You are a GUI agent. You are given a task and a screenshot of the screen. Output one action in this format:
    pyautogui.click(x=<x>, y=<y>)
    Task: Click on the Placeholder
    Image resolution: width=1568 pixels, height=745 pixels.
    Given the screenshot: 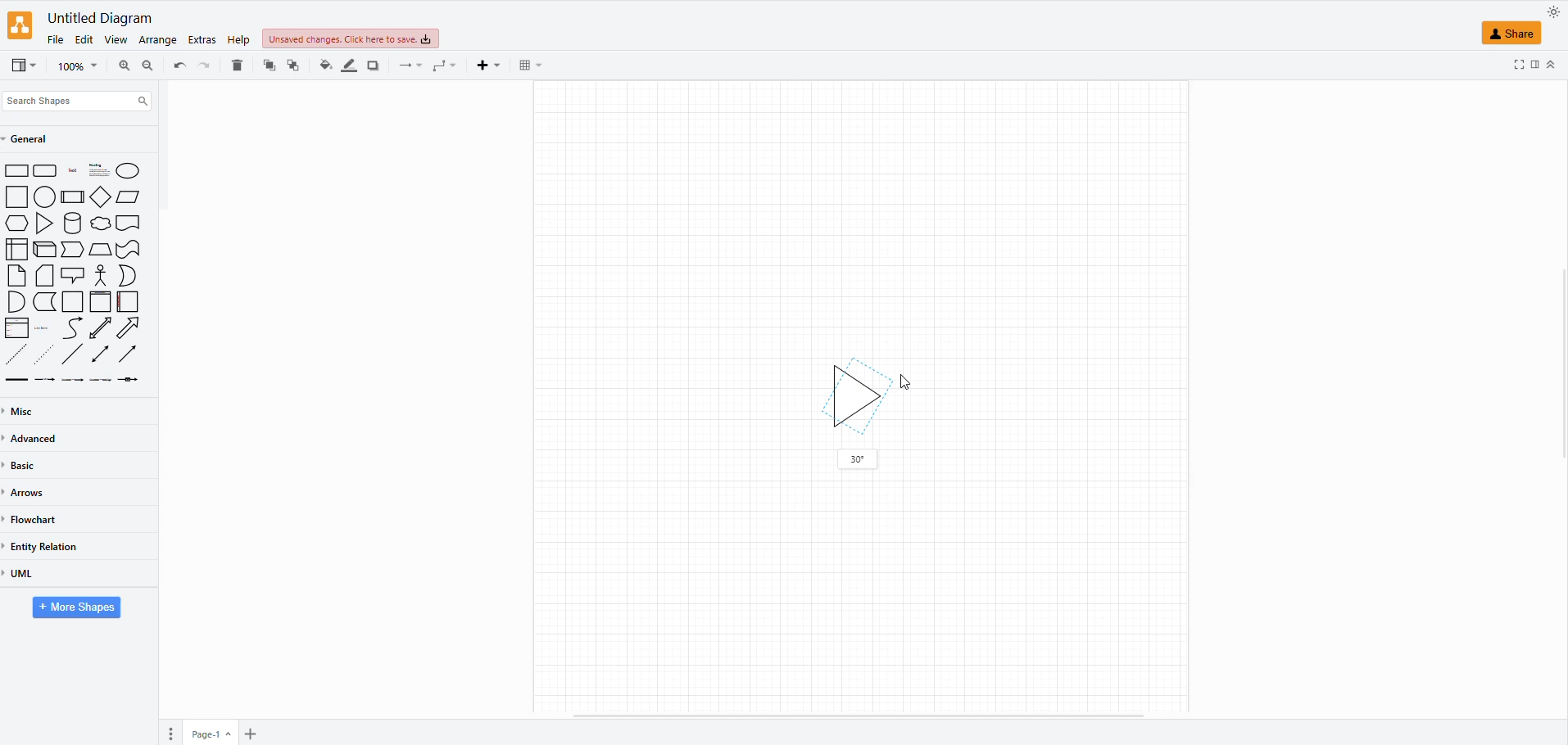 What is the action you would take?
    pyautogui.click(x=43, y=328)
    